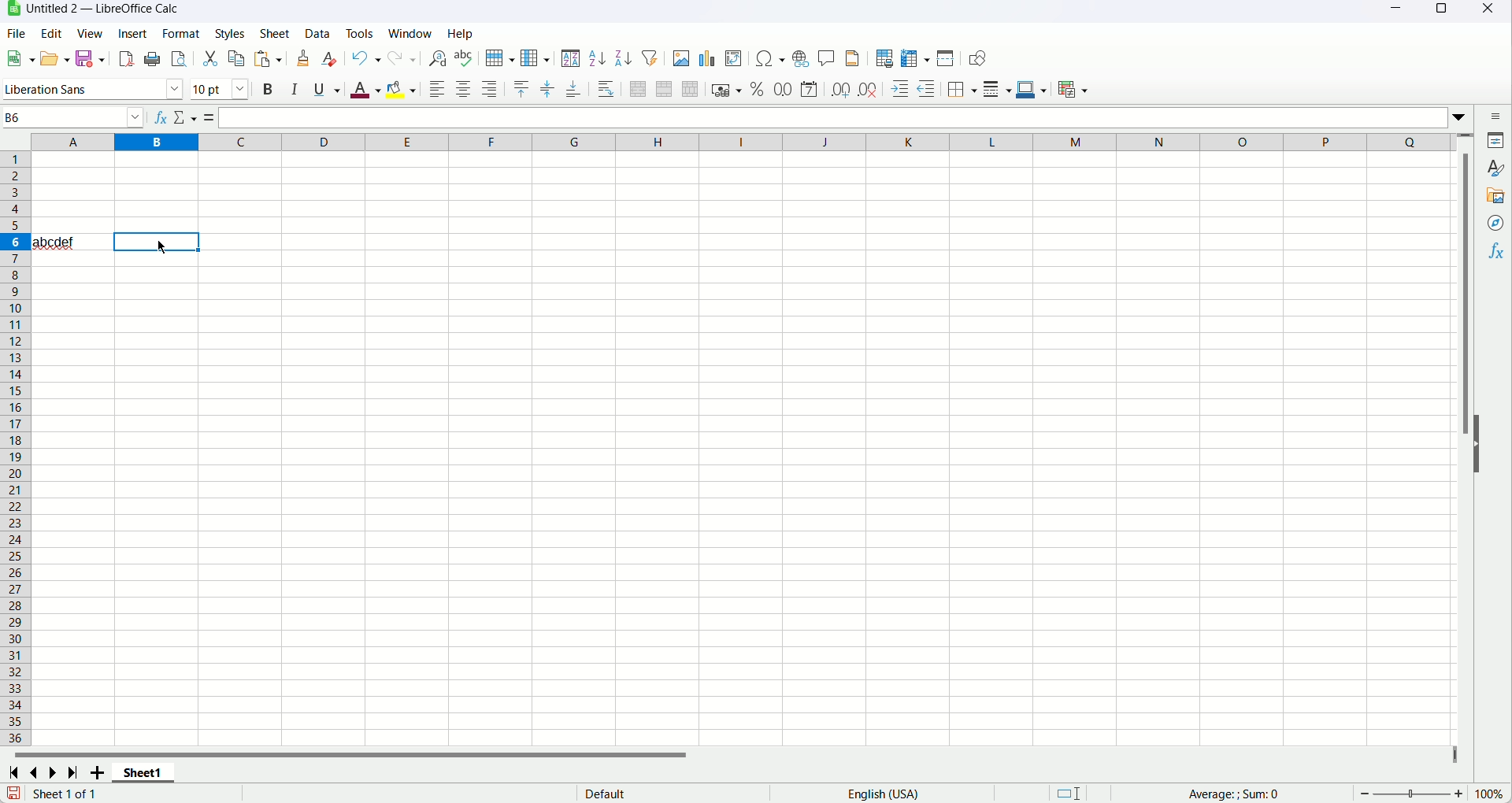  What do you see at coordinates (498, 57) in the screenshot?
I see `row` at bounding box center [498, 57].